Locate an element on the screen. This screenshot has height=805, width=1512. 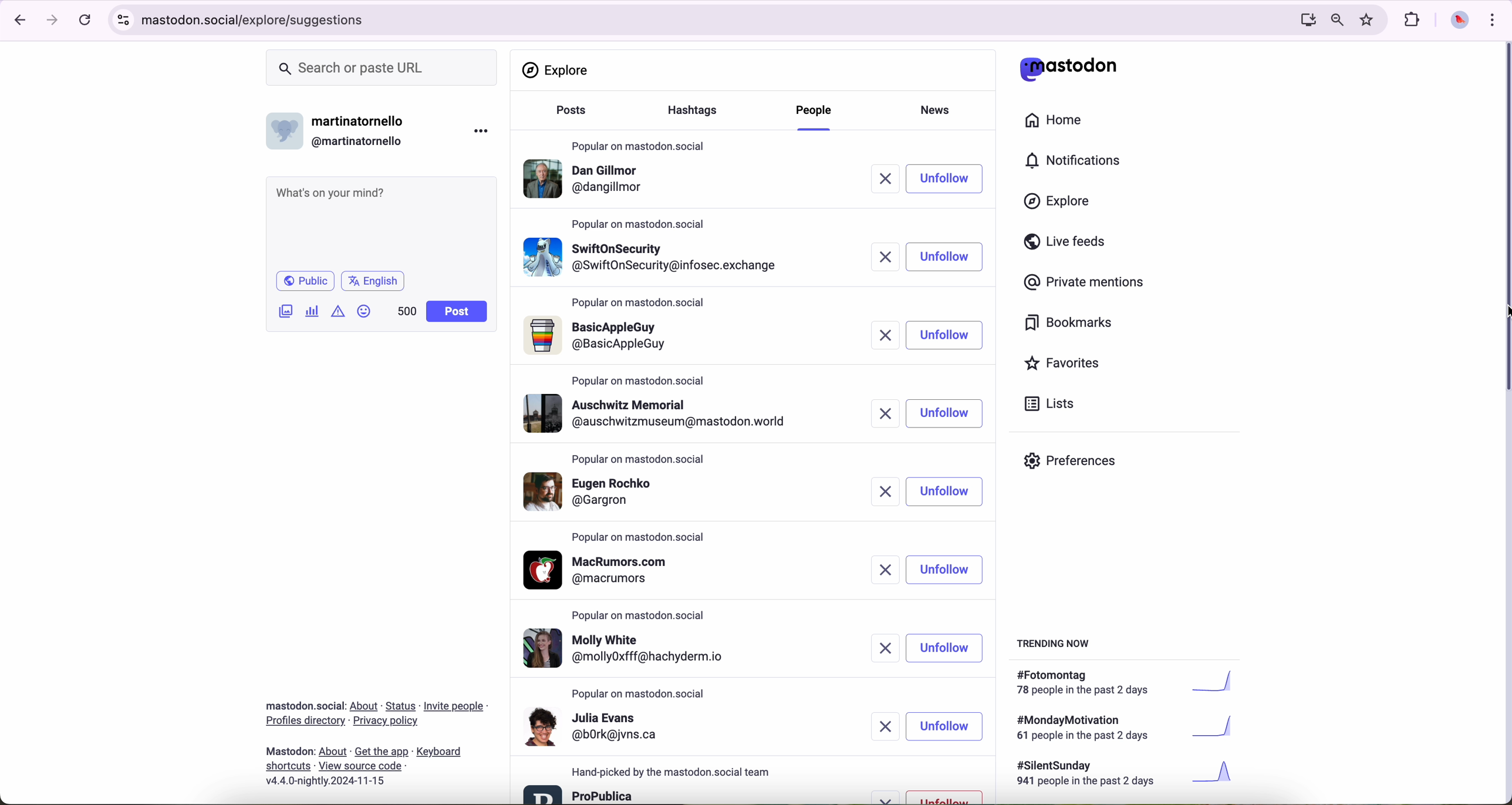
profile picture is located at coordinates (1456, 21).